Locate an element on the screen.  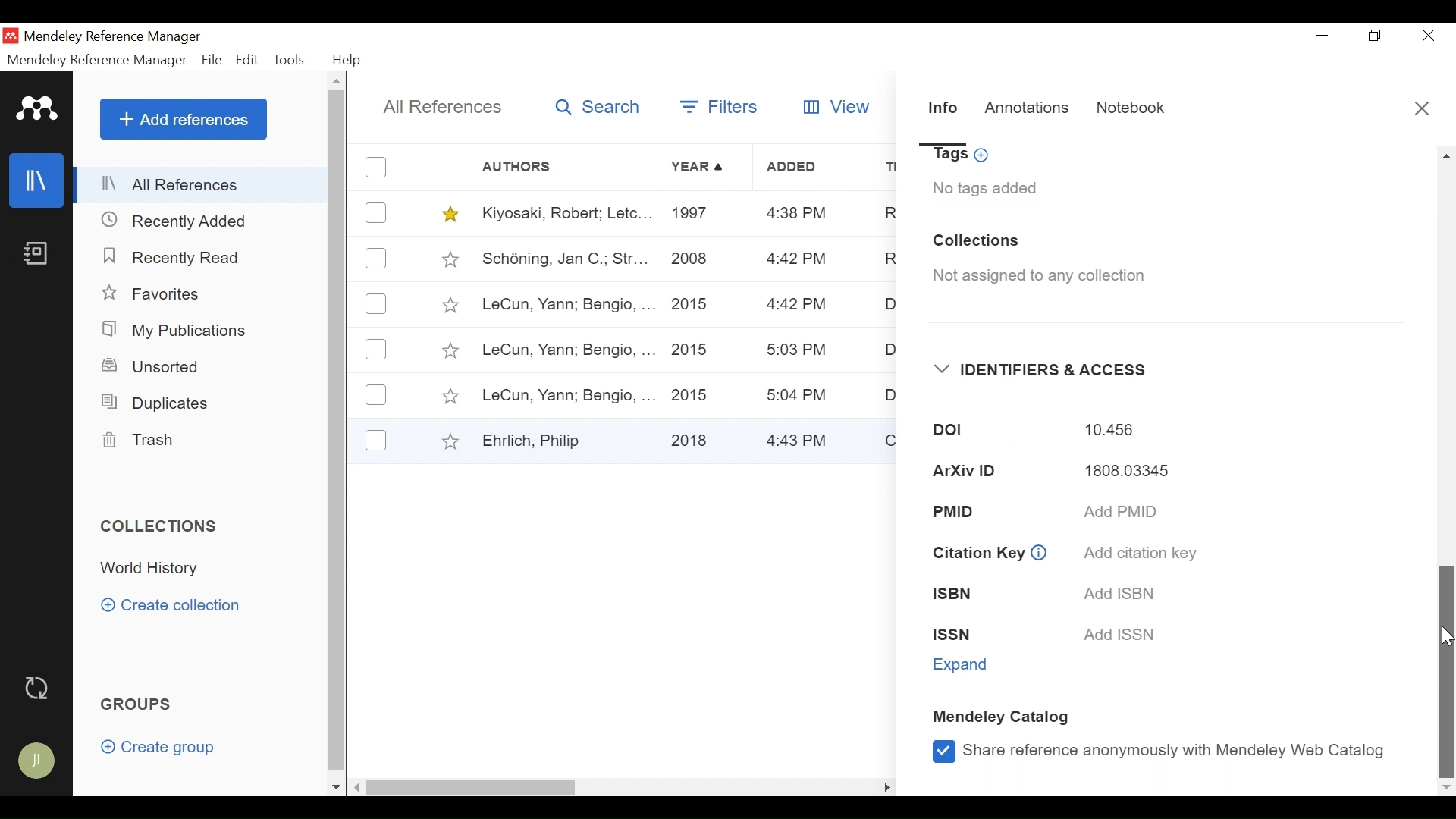
No tags added is located at coordinates (985, 188).